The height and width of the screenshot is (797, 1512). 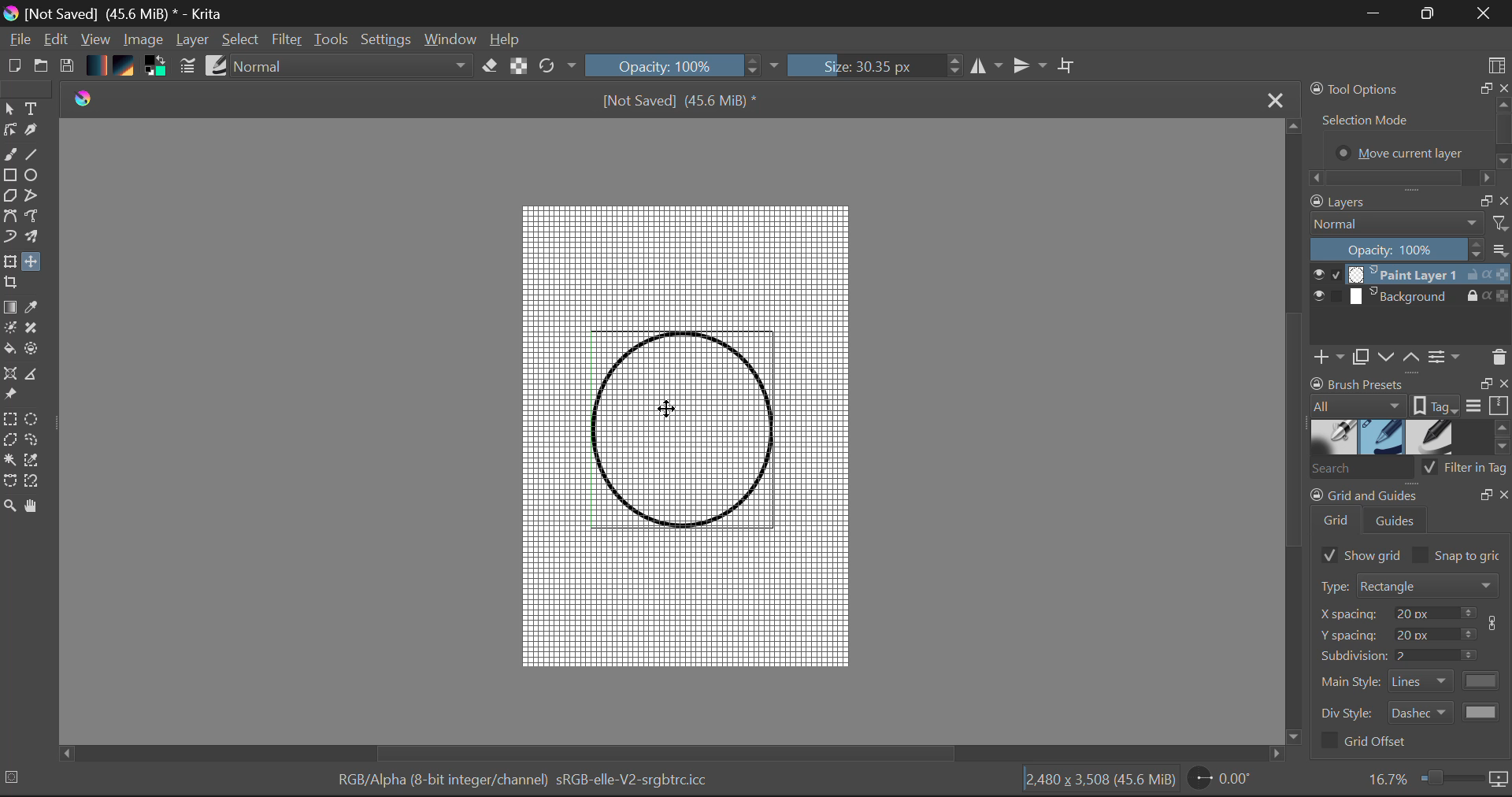 What do you see at coordinates (1409, 200) in the screenshot?
I see `Layers Docket Tab` at bounding box center [1409, 200].